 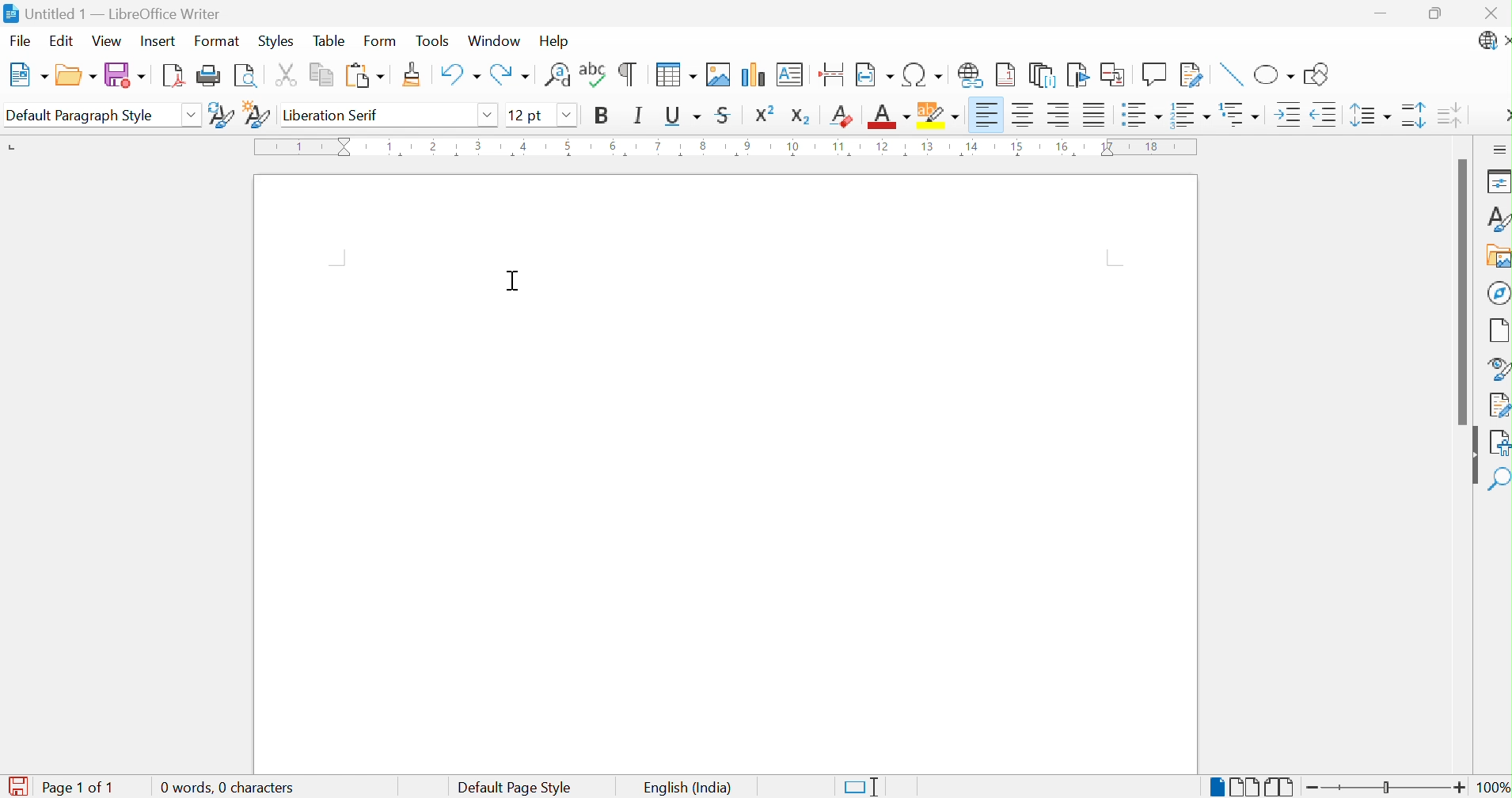 What do you see at coordinates (82, 788) in the screenshot?
I see `Page 1 of 1` at bounding box center [82, 788].